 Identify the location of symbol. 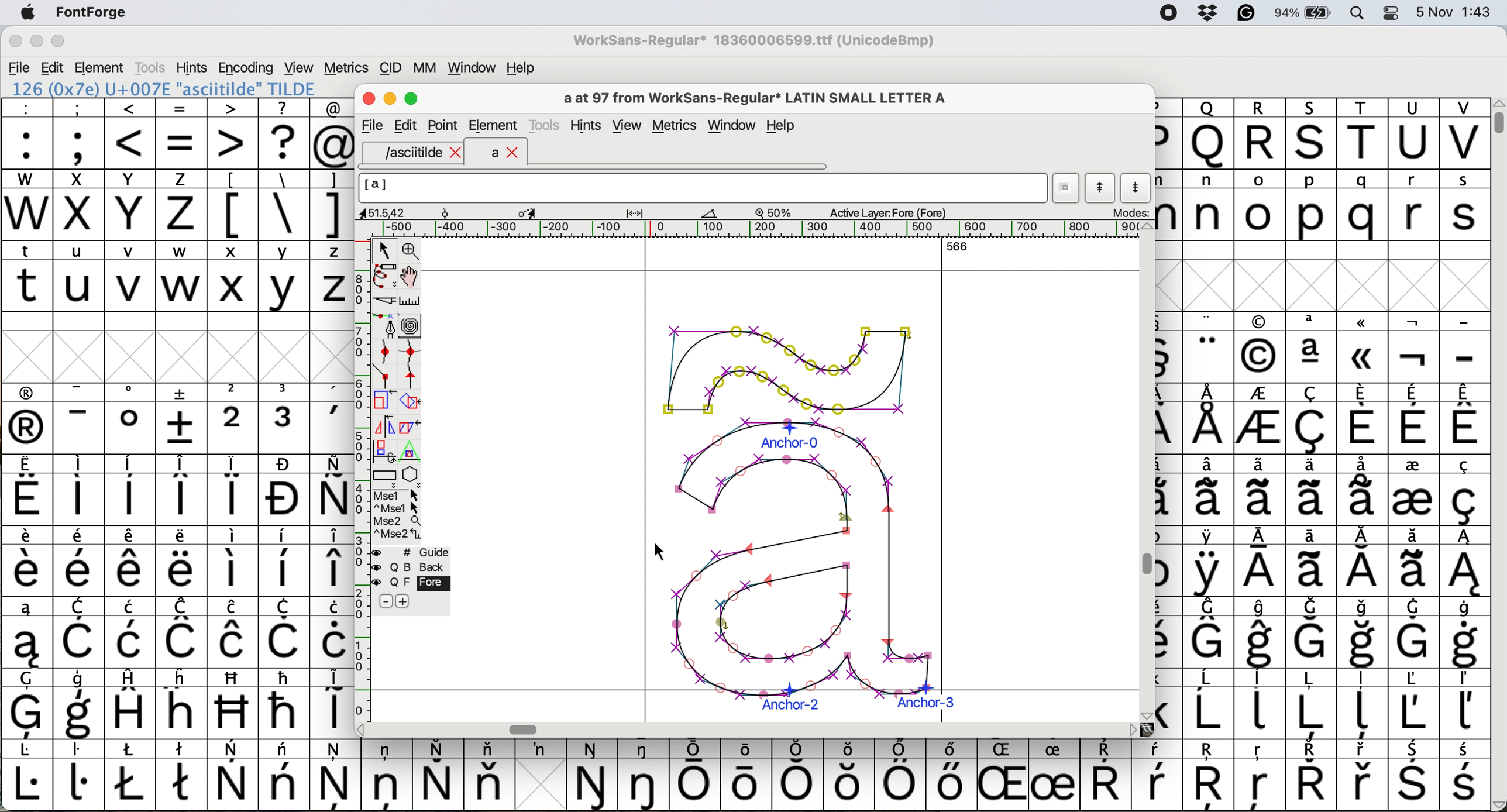
(1363, 418).